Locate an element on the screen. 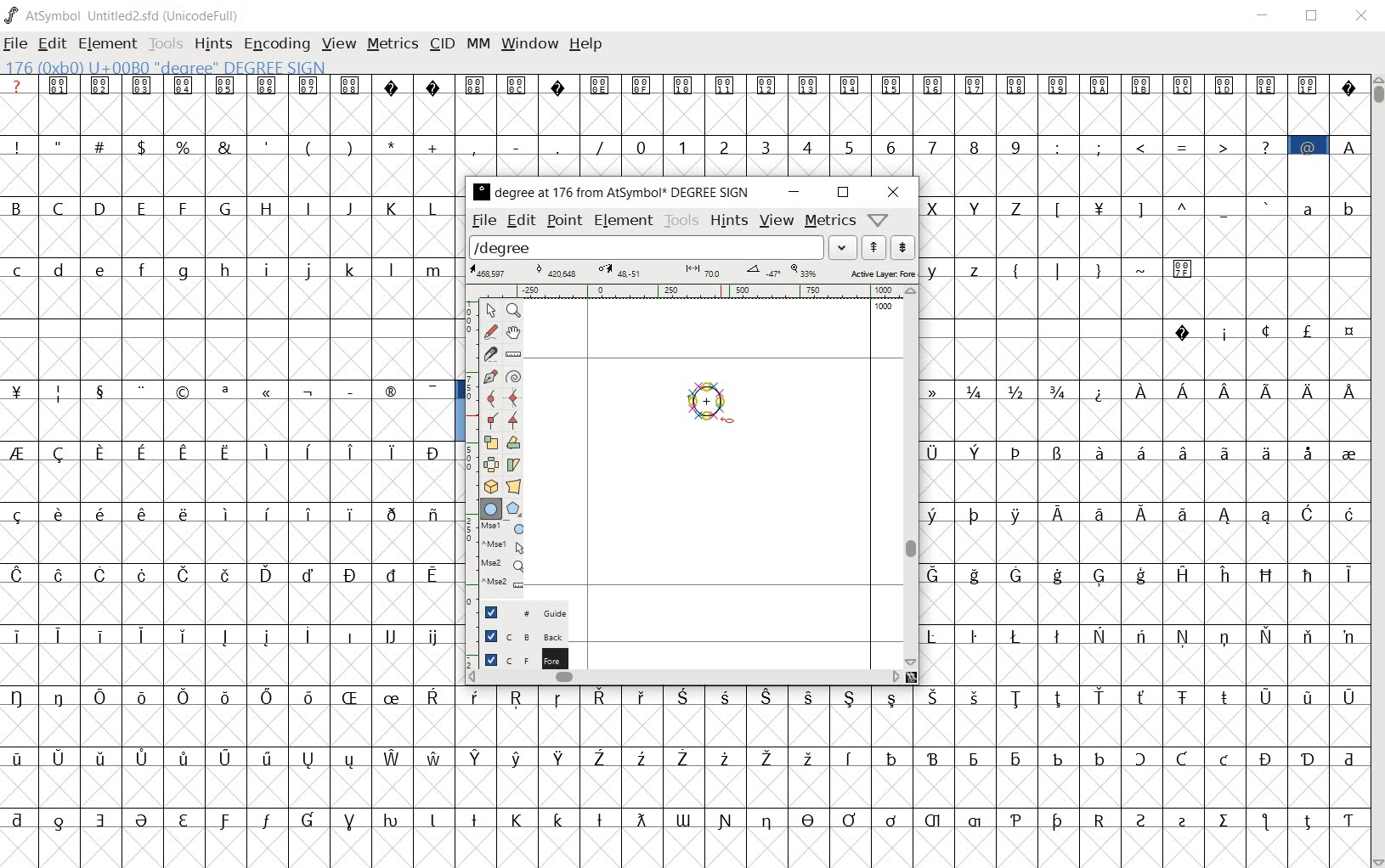 Image resolution: width=1385 pixels, height=868 pixels. rotate the selection in 3D and project back to plane is located at coordinates (488, 487).